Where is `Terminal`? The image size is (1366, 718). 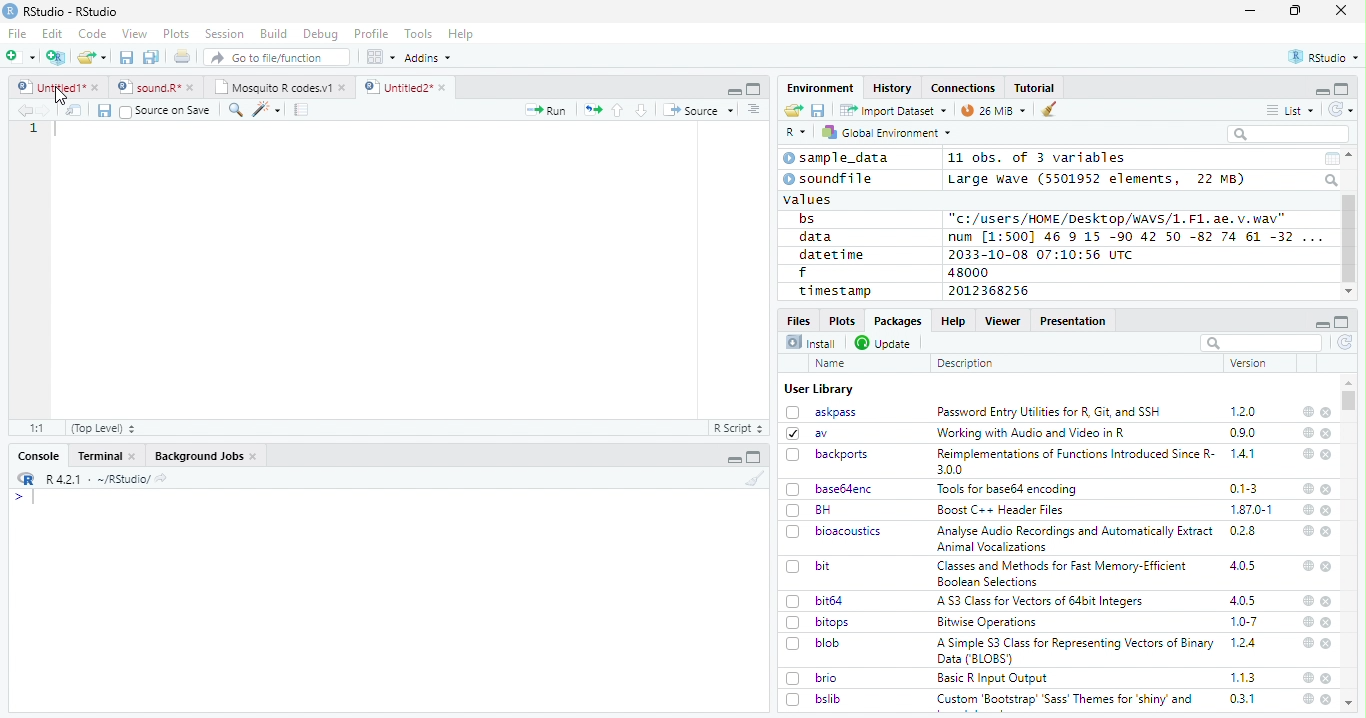 Terminal is located at coordinates (106, 456).